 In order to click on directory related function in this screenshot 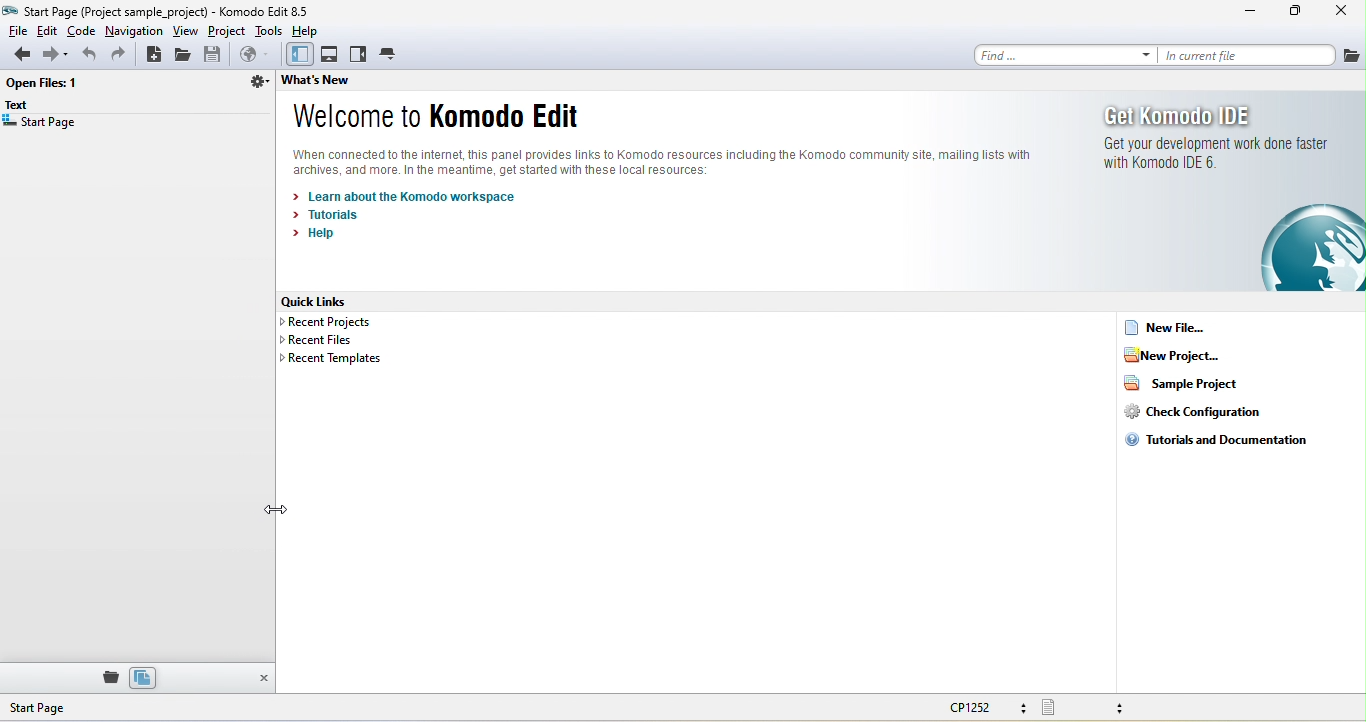, I will do `click(257, 85)`.